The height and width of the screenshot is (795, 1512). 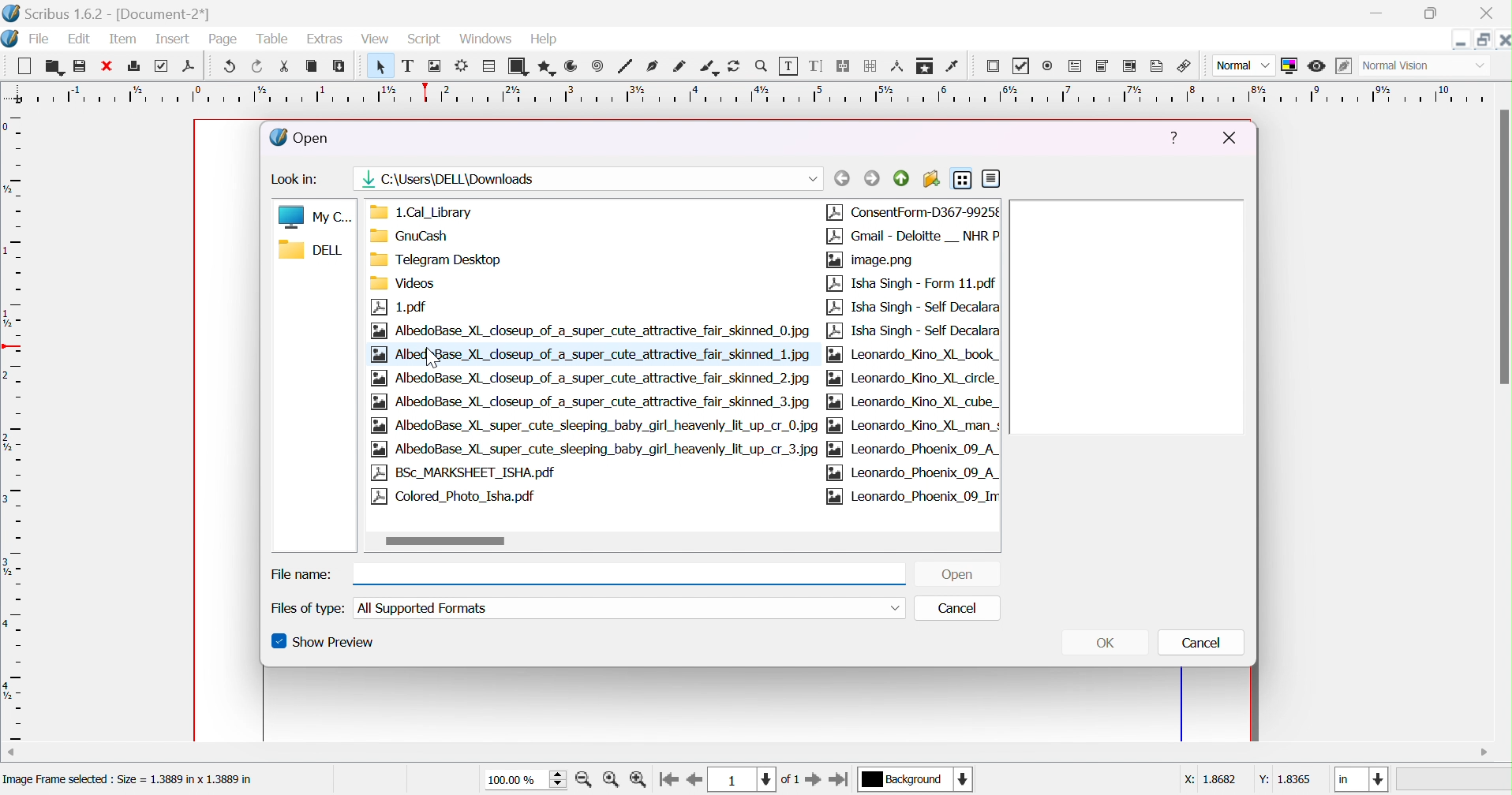 What do you see at coordinates (1290, 65) in the screenshot?
I see `toggle color management system` at bounding box center [1290, 65].